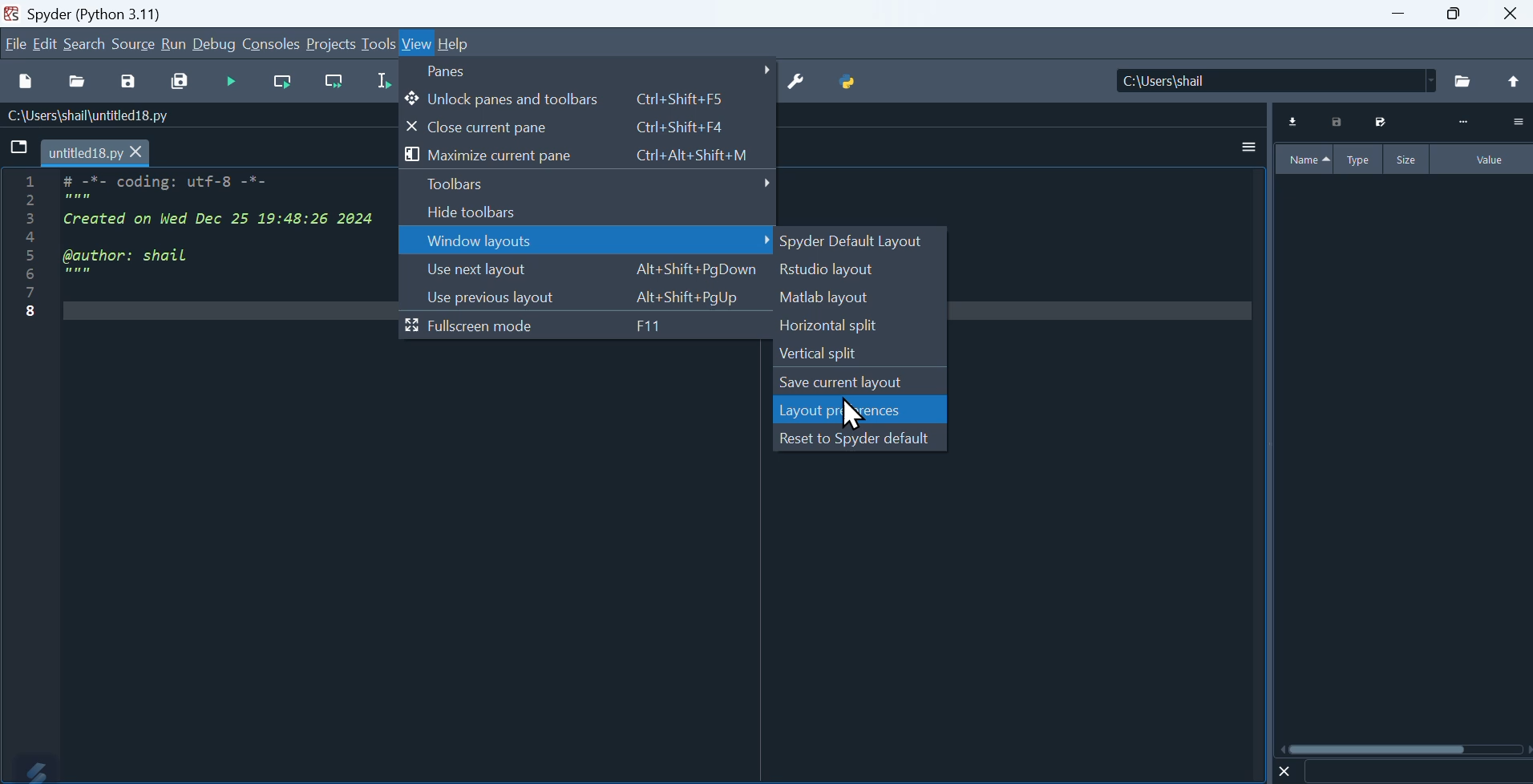  I want to click on C:\user\shall, so click(1277, 80).